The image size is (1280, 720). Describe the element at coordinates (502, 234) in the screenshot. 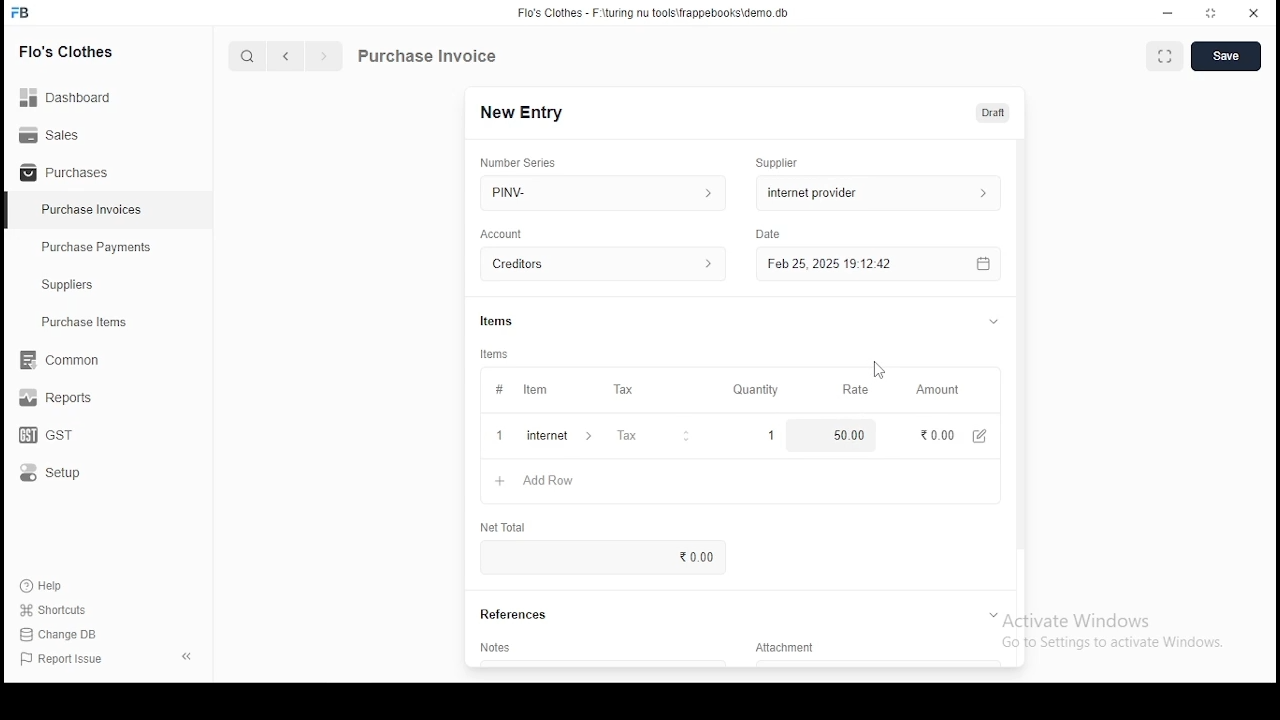

I see `account` at that location.